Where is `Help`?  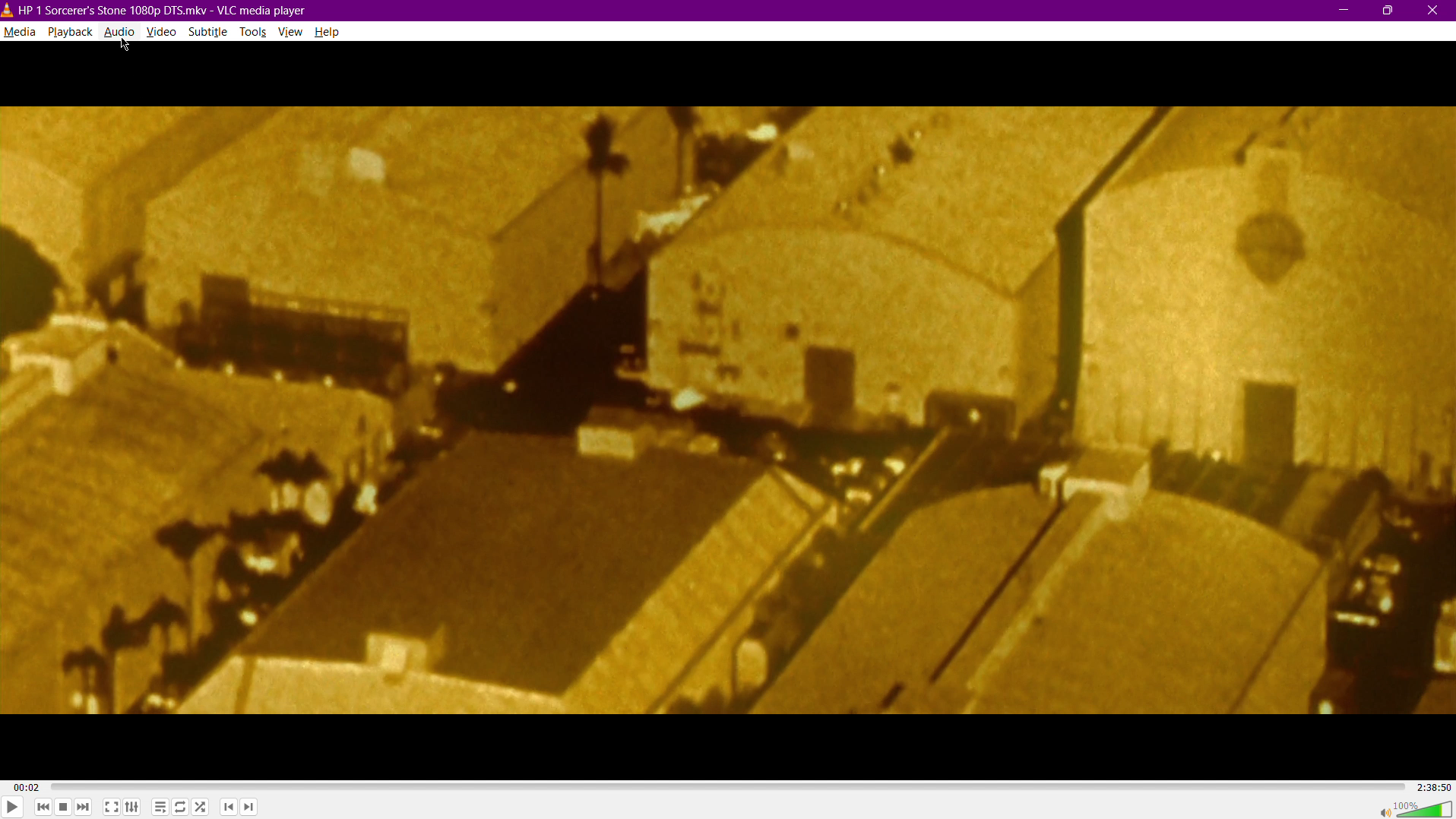
Help is located at coordinates (328, 32).